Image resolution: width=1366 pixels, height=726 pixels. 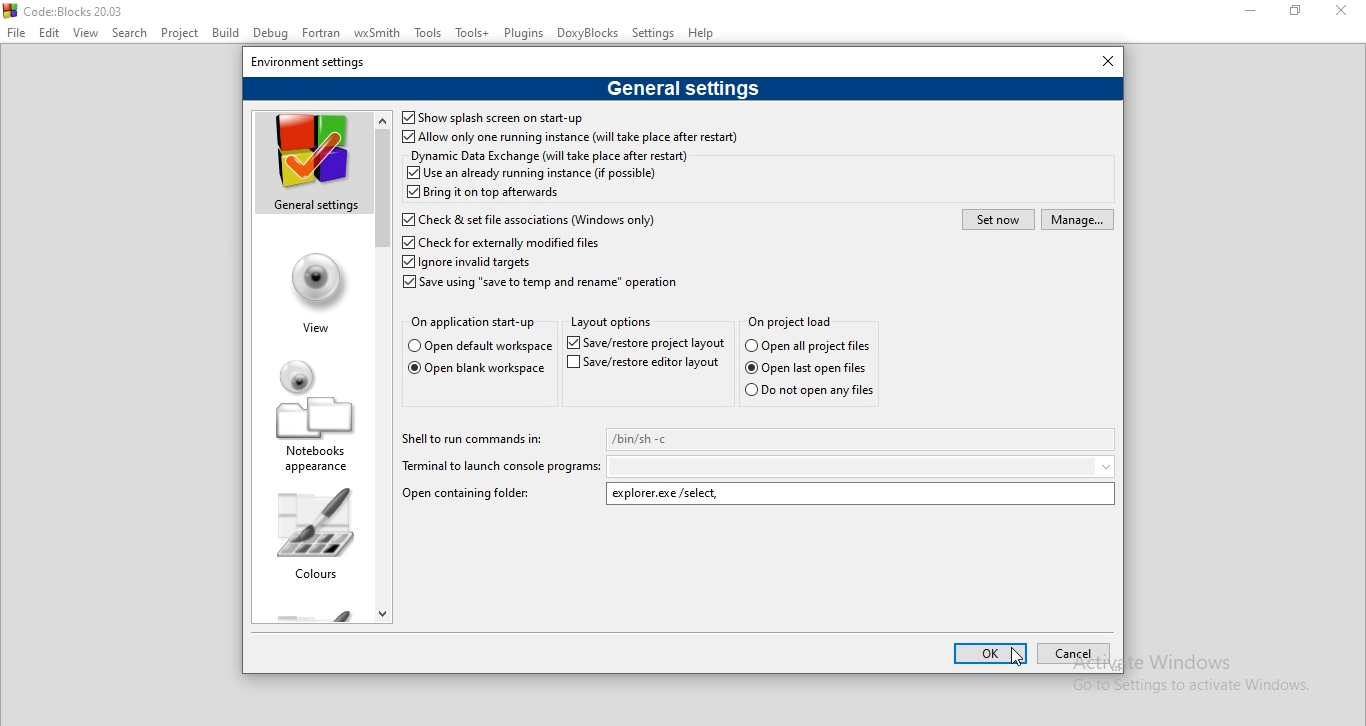 I want to click on Check for externally modified files, so click(x=501, y=242).